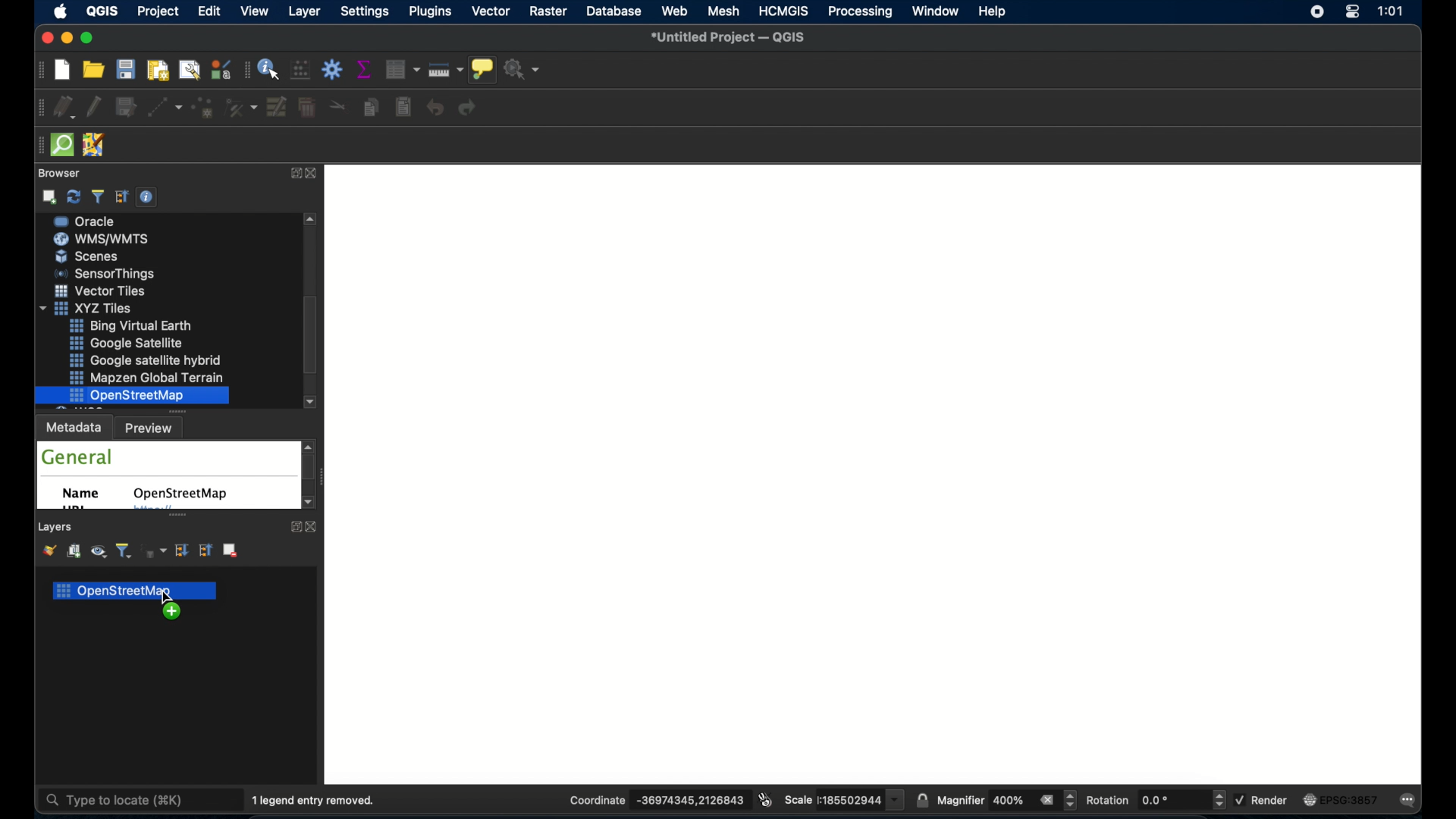  Describe the element at coordinates (34, 143) in the screenshot. I see `drag handle` at that location.